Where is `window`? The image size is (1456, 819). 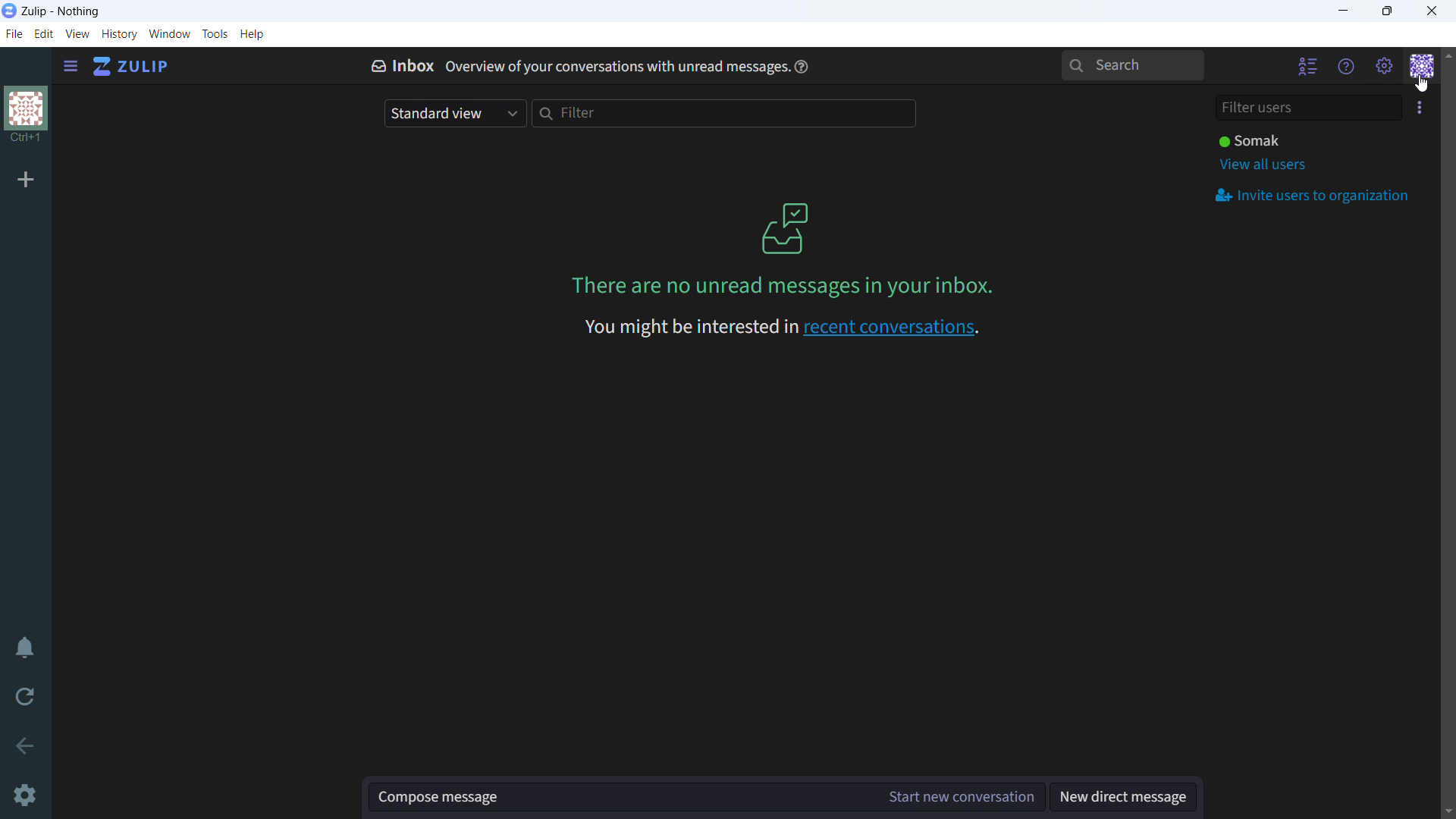
window is located at coordinates (171, 33).